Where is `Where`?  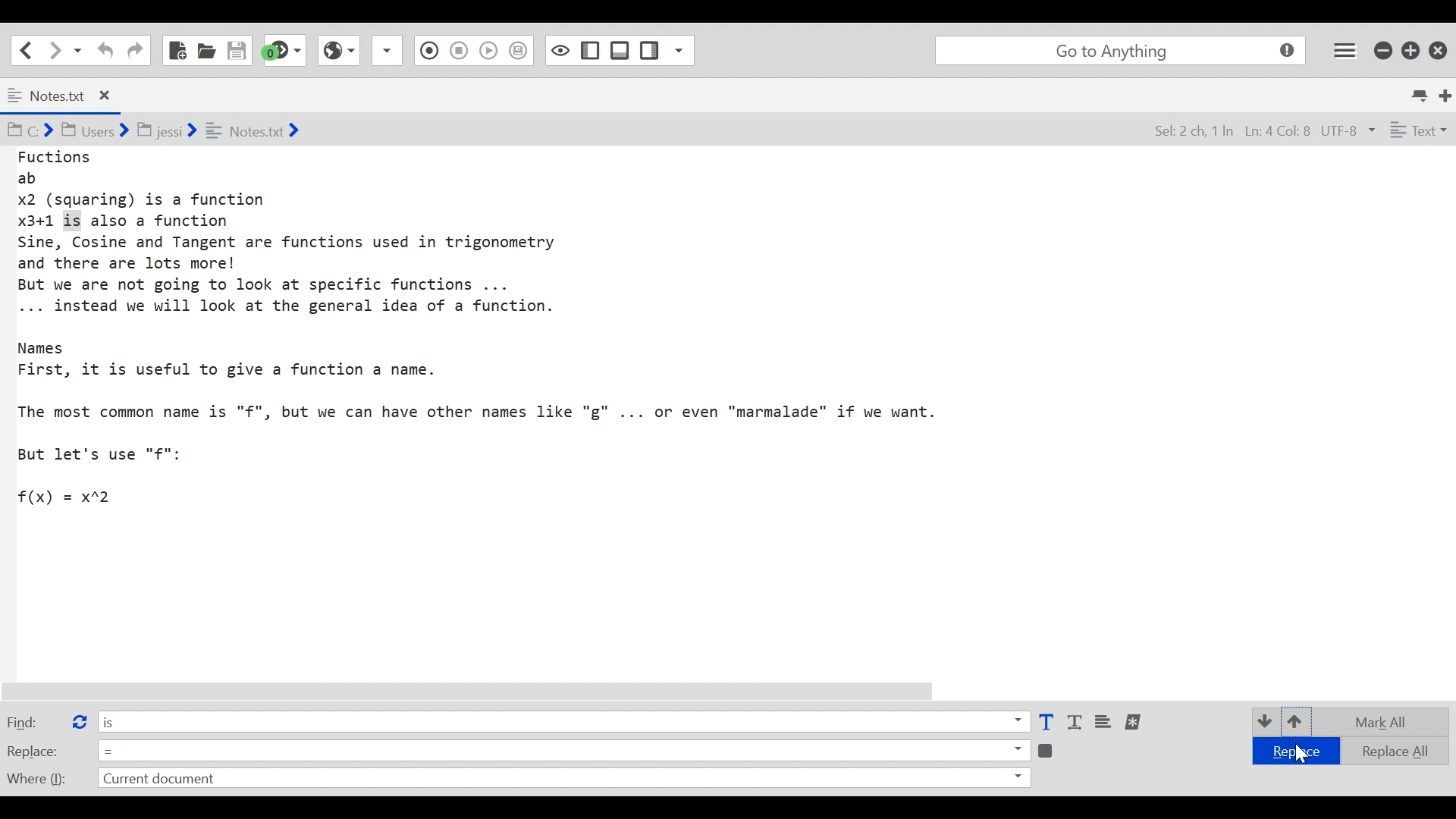 Where is located at coordinates (35, 777).